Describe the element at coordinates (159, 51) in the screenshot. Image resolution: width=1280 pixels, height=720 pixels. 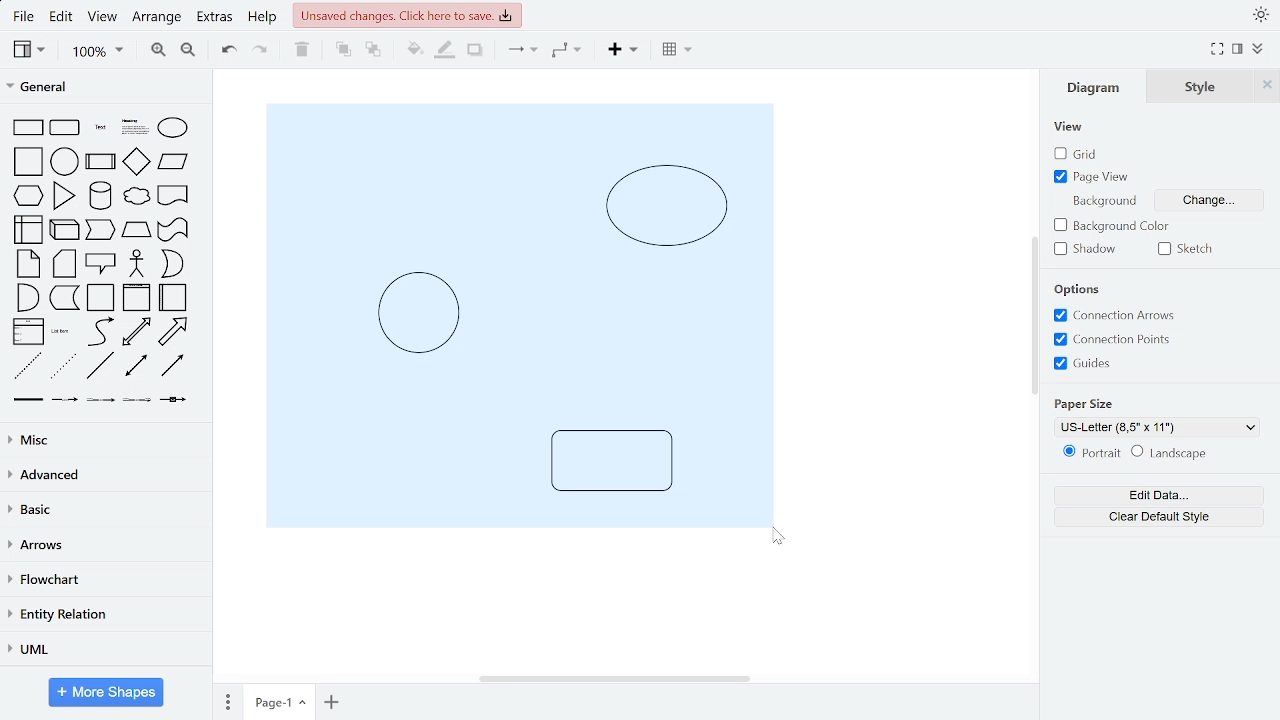
I see `zoom in` at that location.